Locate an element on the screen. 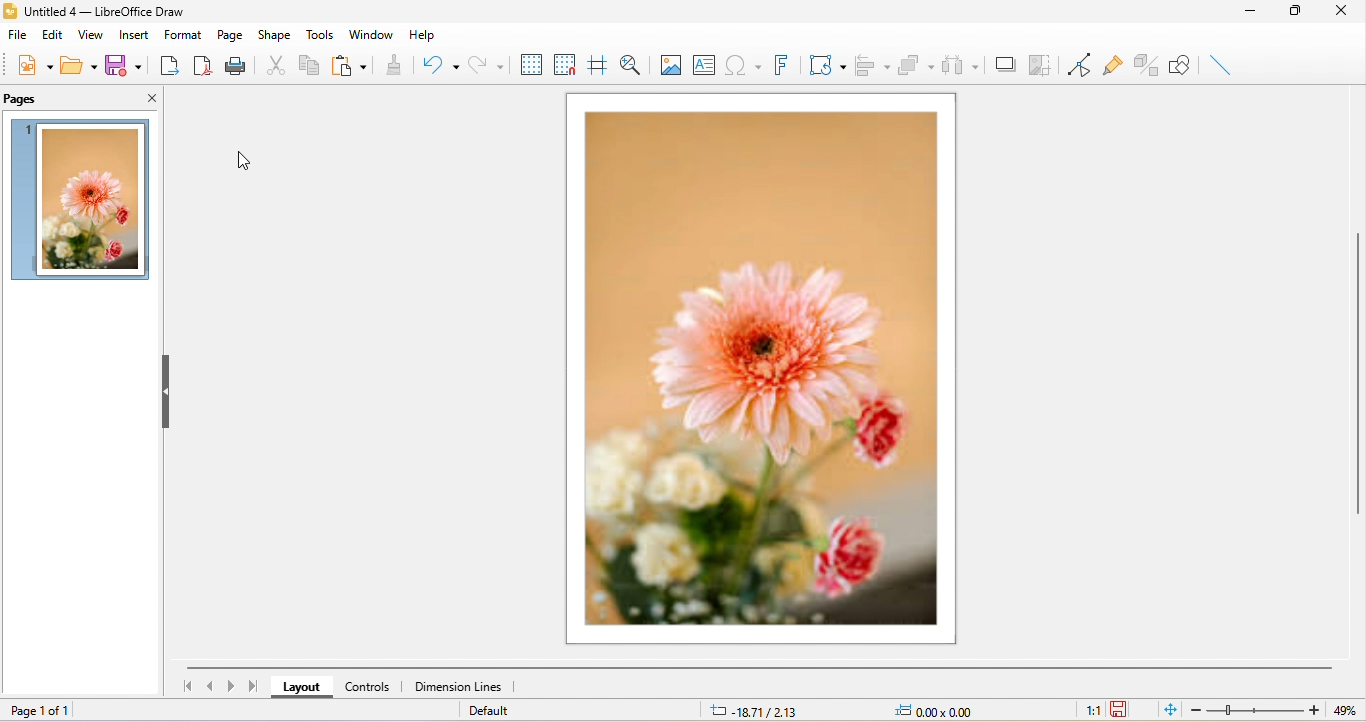 The height and width of the screenshot is (722, 1366). Inserted a background image is located at coordinates (84, 199).